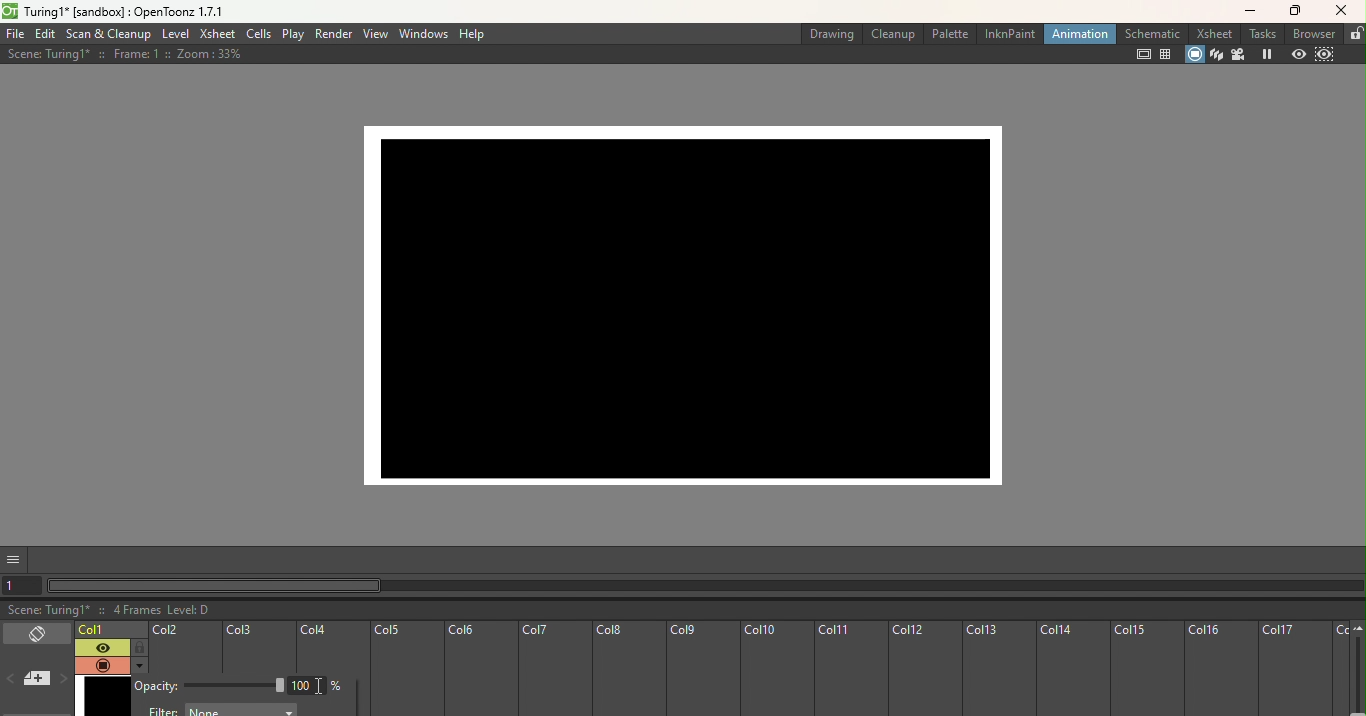  I want to click on Next memo, so click(61, 680).